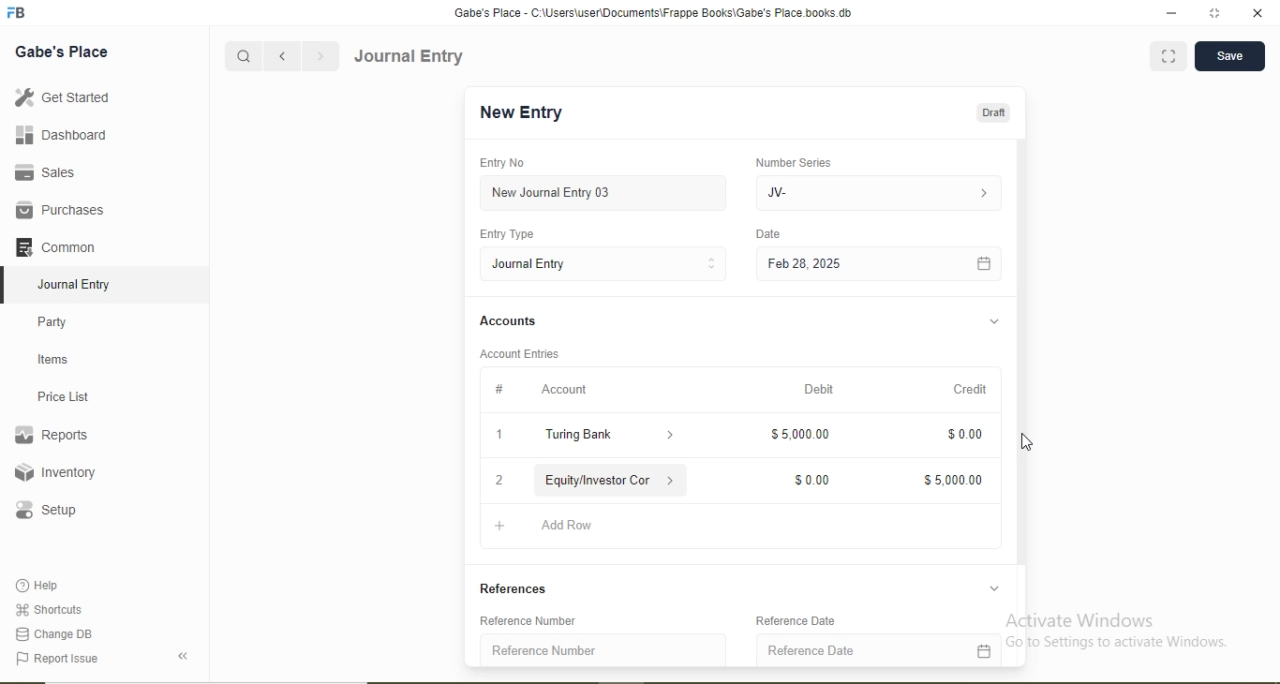  What do you see at coordinates (505, 234) in the screenshot?
I see `Entry Type` at bounding box center [505, 234].